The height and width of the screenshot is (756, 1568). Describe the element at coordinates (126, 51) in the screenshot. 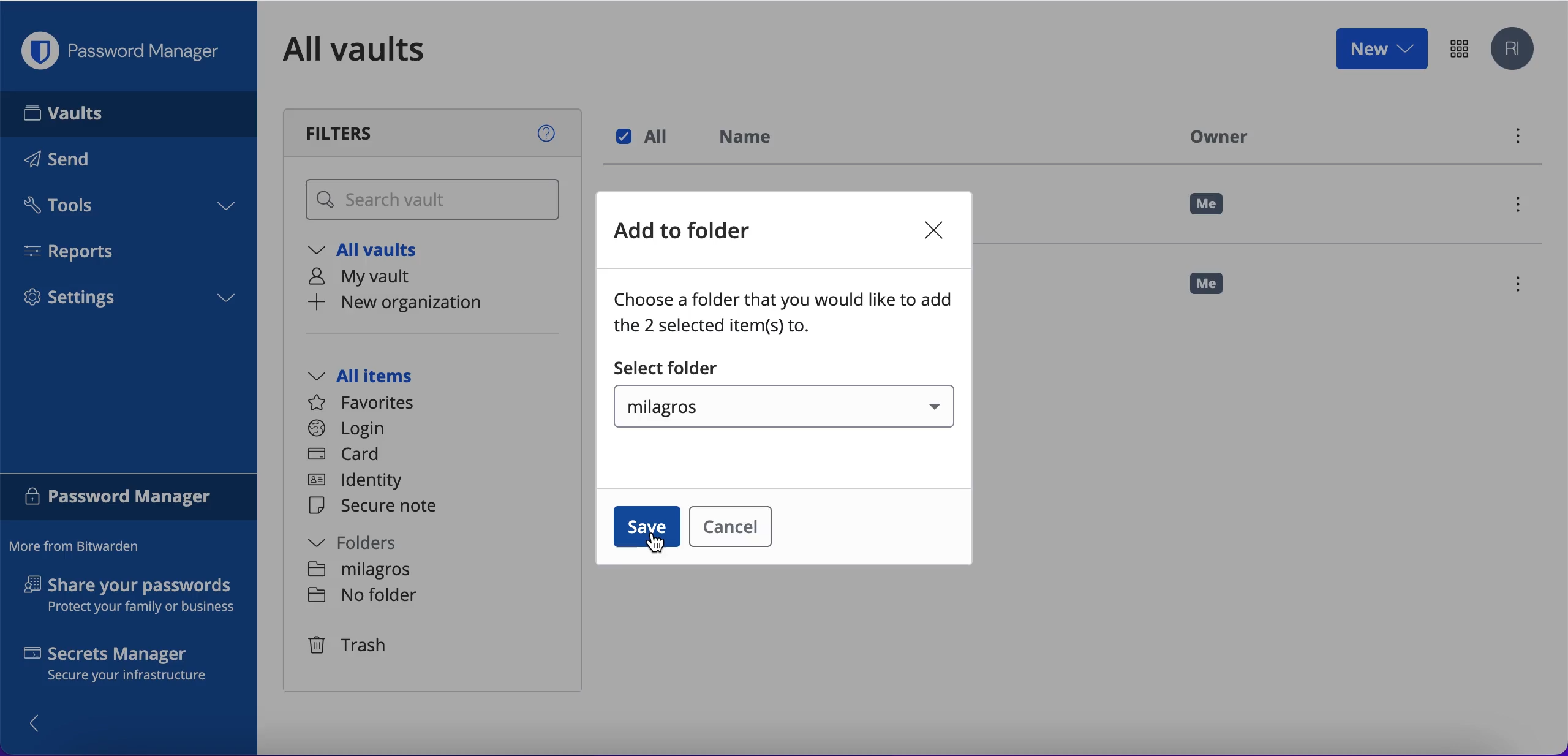

I see `password manager` at that location.